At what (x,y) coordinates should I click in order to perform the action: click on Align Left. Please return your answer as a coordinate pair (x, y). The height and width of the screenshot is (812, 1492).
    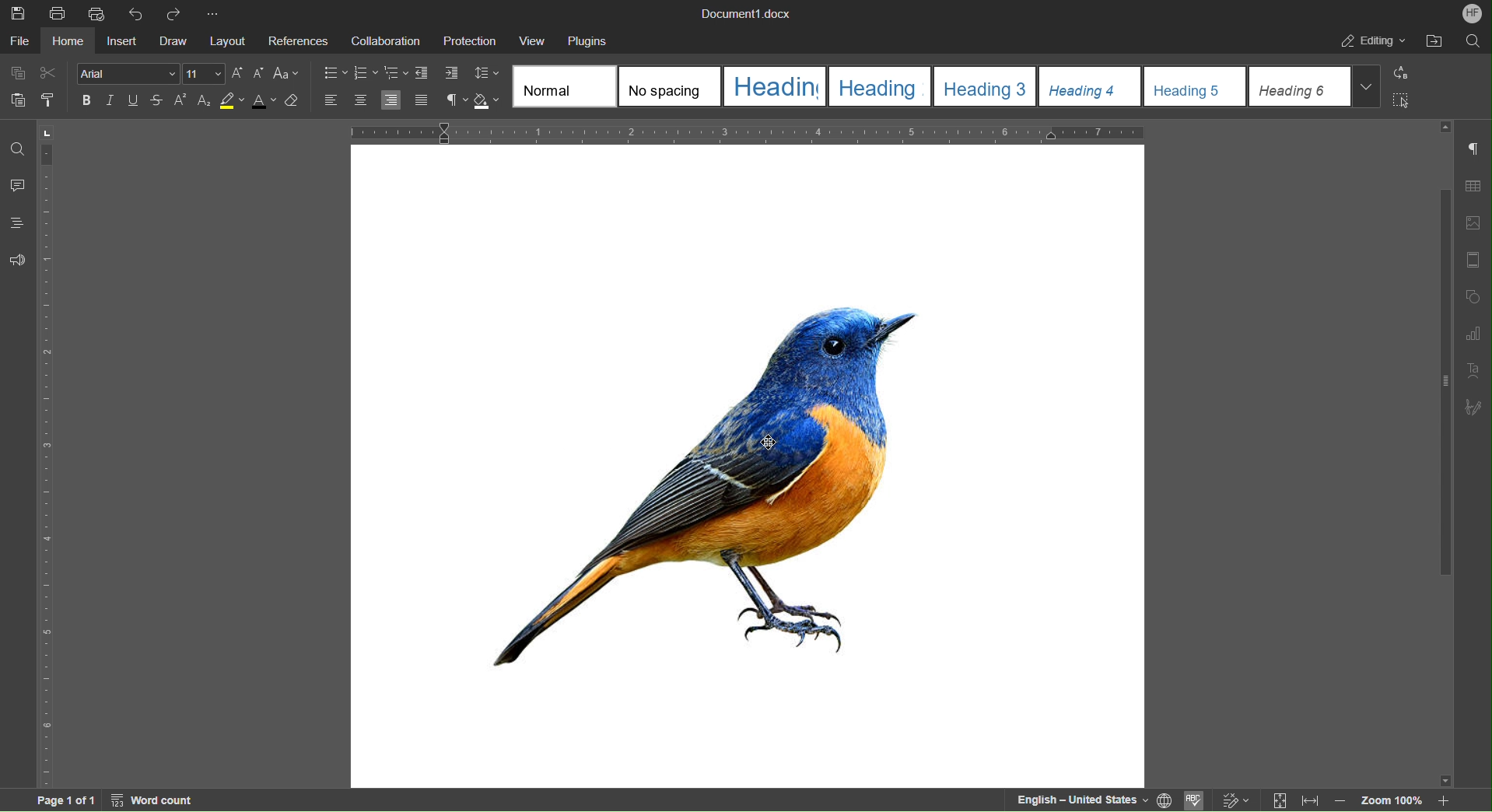
    Looking at the image, I should click on (334, 100).